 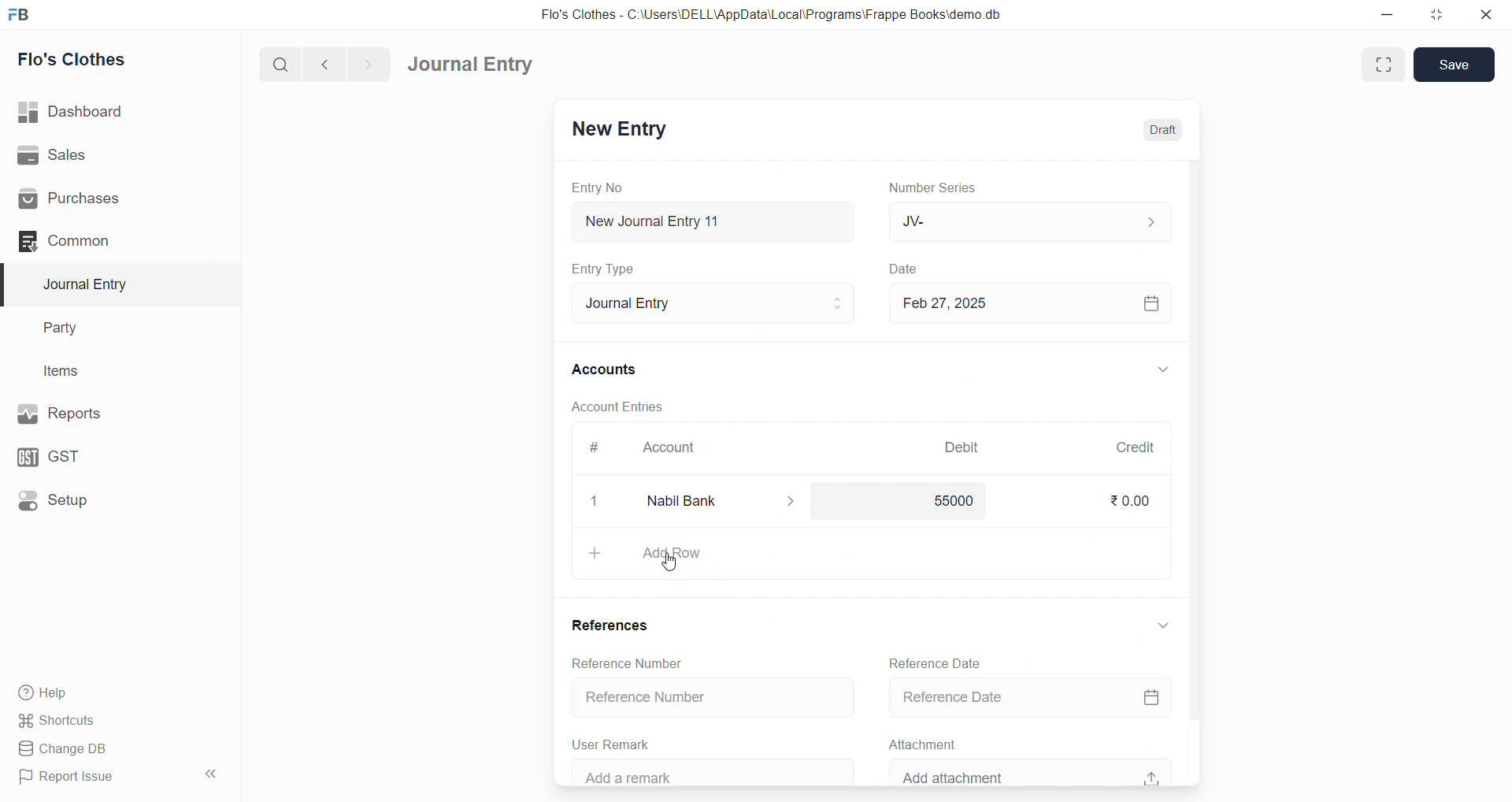 What do you see at coordinates (939, 188) in the screenshot?
I see `Number Series` at bounding box center [939, 188].